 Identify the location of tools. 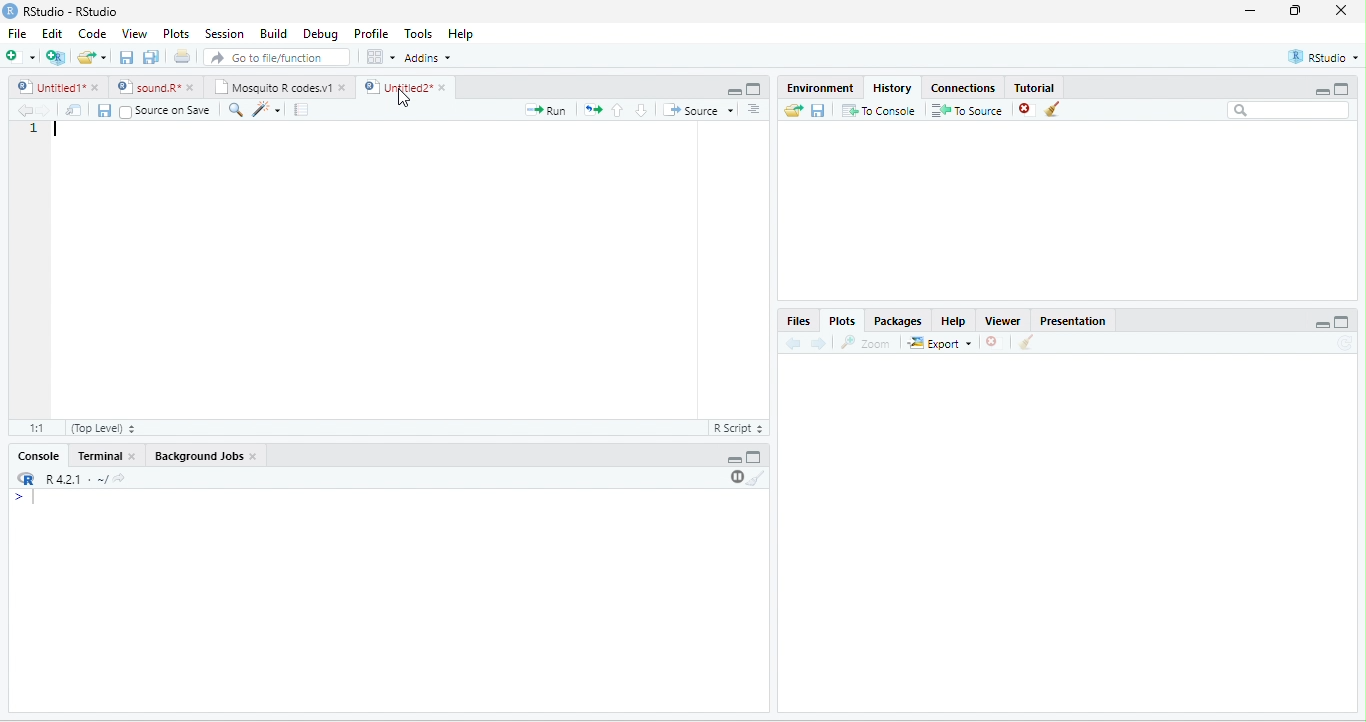
(265, 111).